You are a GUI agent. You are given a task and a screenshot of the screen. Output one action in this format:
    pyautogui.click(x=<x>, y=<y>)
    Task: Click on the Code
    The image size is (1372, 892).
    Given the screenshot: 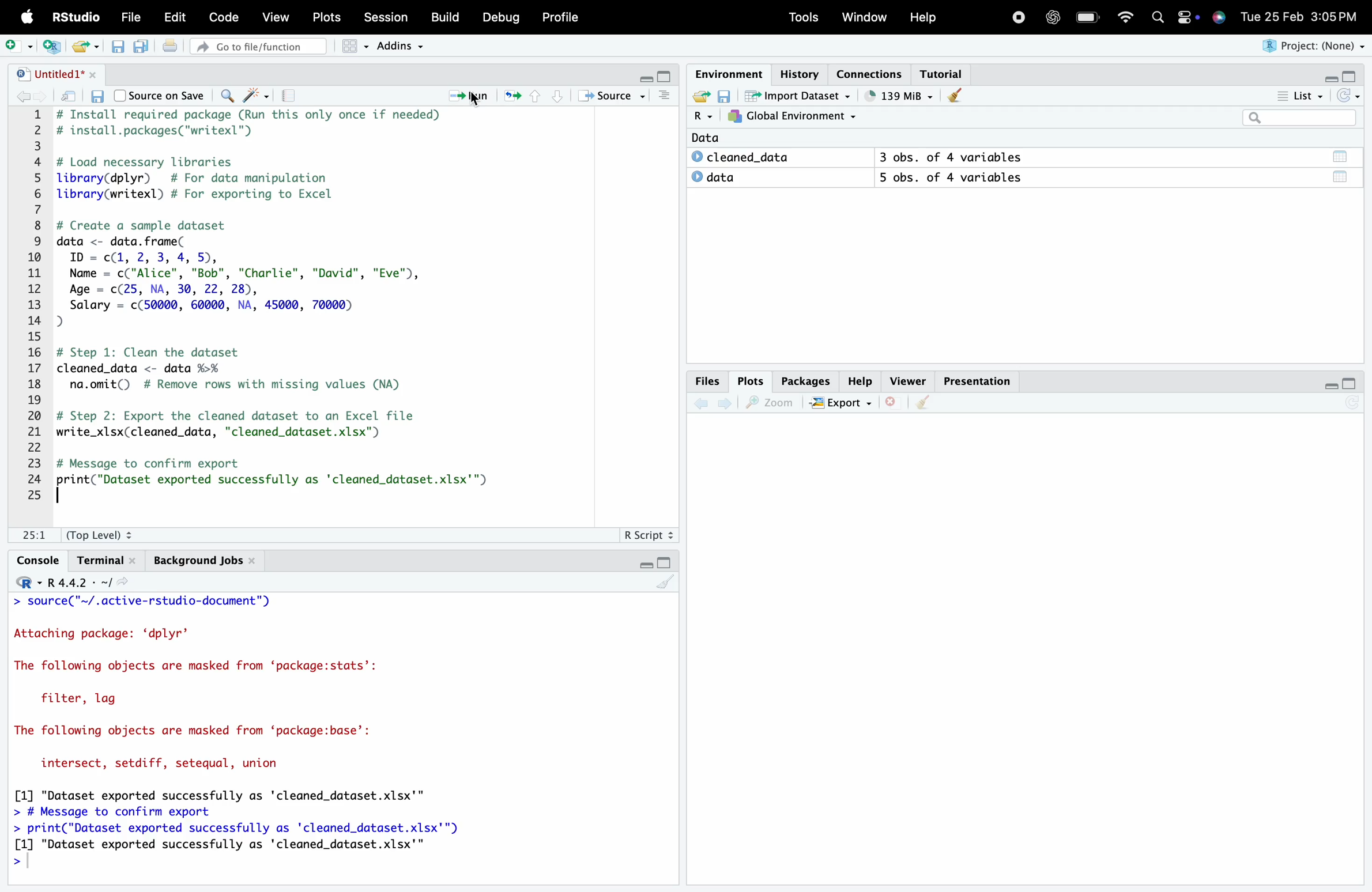 What is the action you would take?
    pyautogui.click(x=225, y=17)
    